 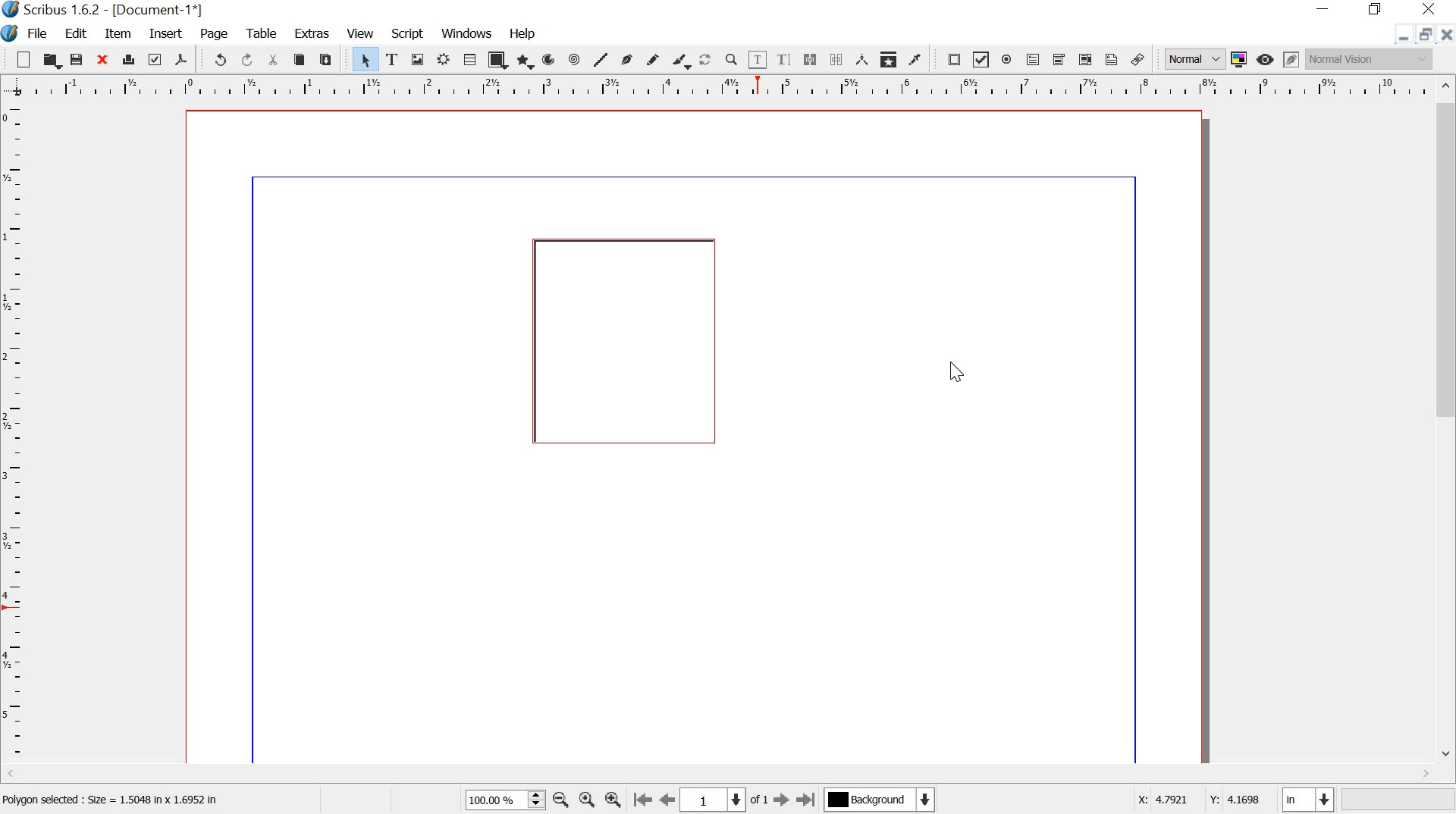 I want to click on preflight verifier, so click(x=156, y=61).